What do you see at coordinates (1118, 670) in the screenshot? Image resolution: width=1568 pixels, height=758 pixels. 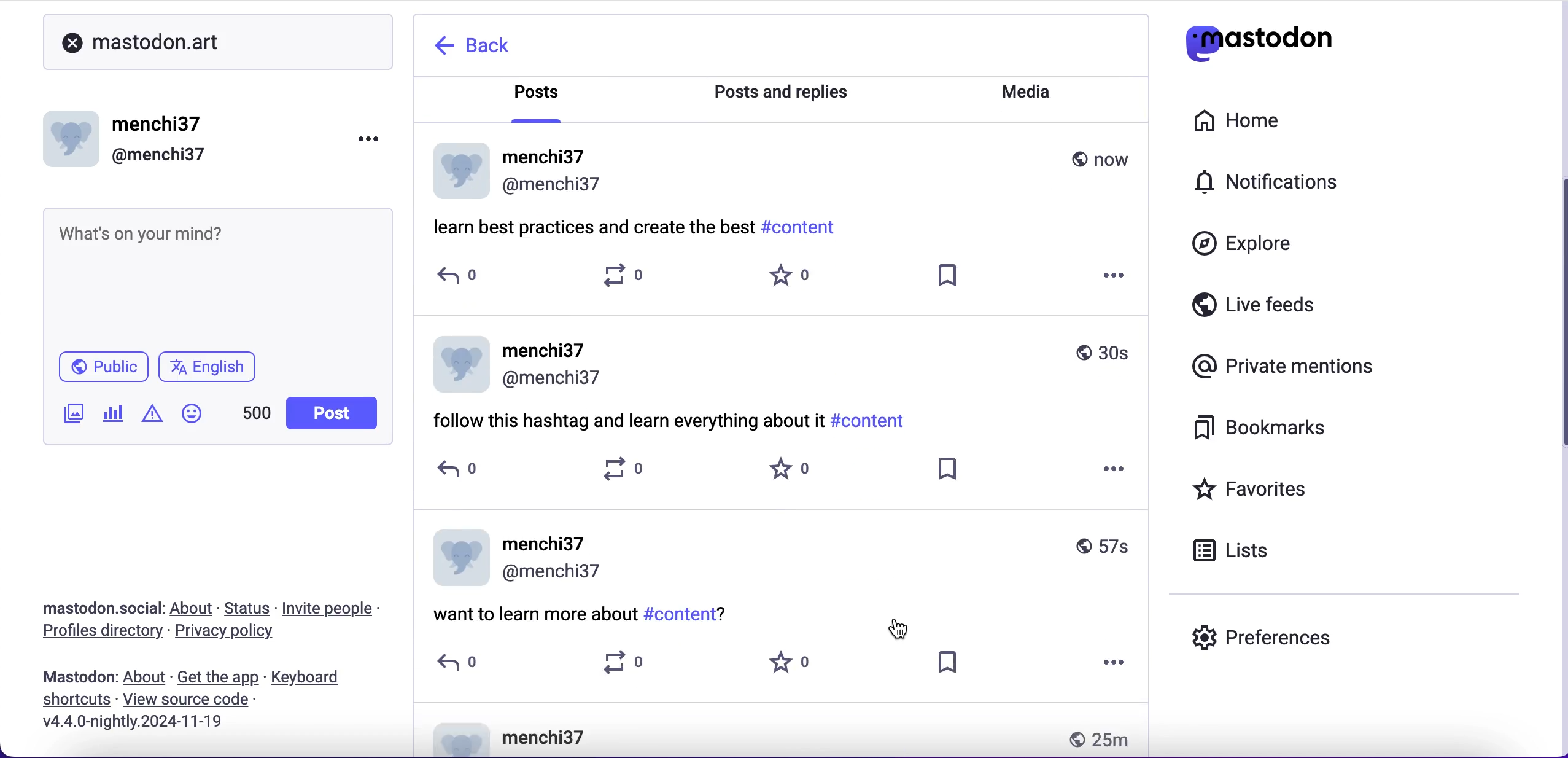 I see `options` at bounding box center [1118, 670].